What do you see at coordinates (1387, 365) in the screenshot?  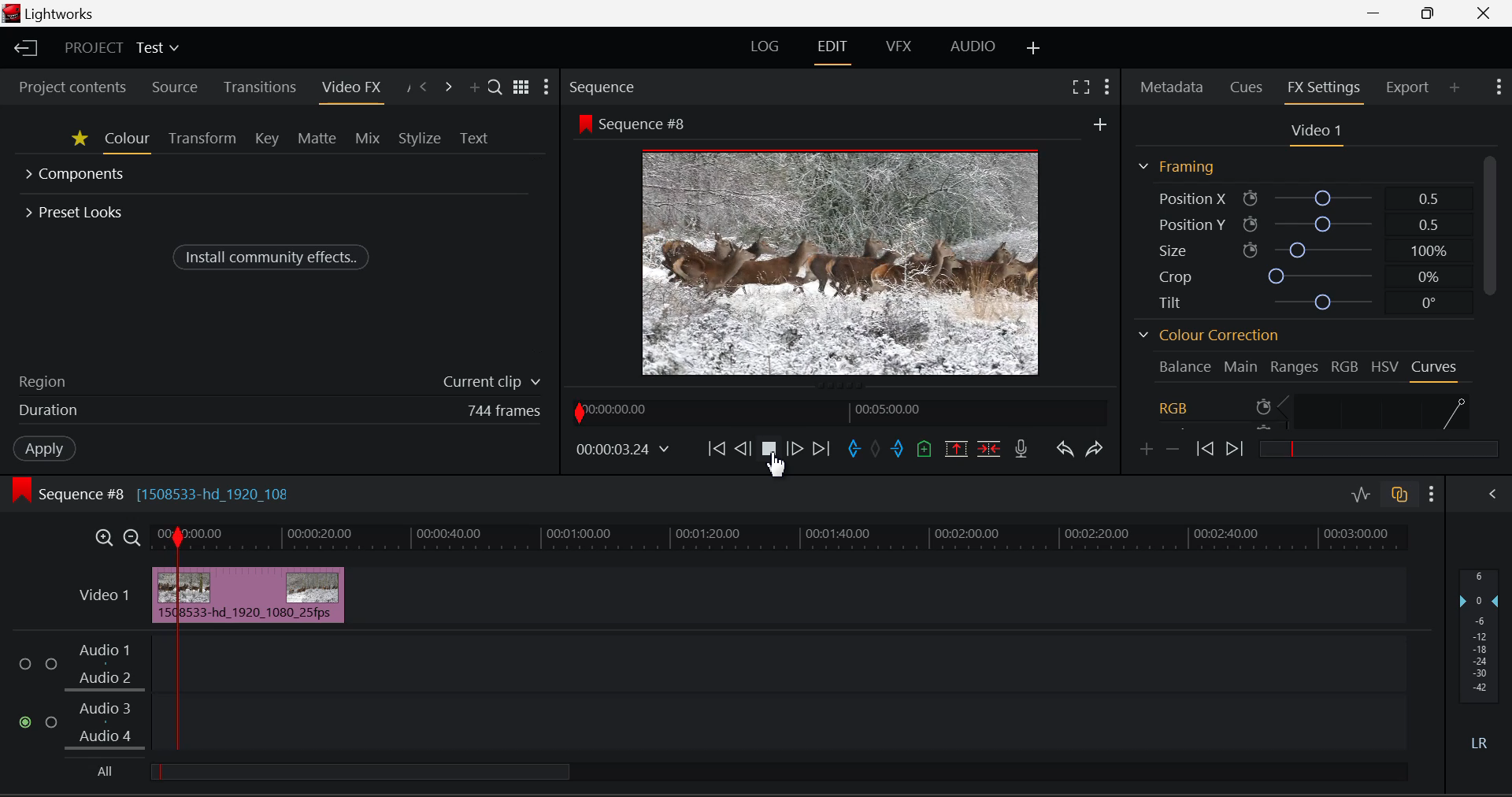 I see `HSV` at bounding box center [1387, 365].